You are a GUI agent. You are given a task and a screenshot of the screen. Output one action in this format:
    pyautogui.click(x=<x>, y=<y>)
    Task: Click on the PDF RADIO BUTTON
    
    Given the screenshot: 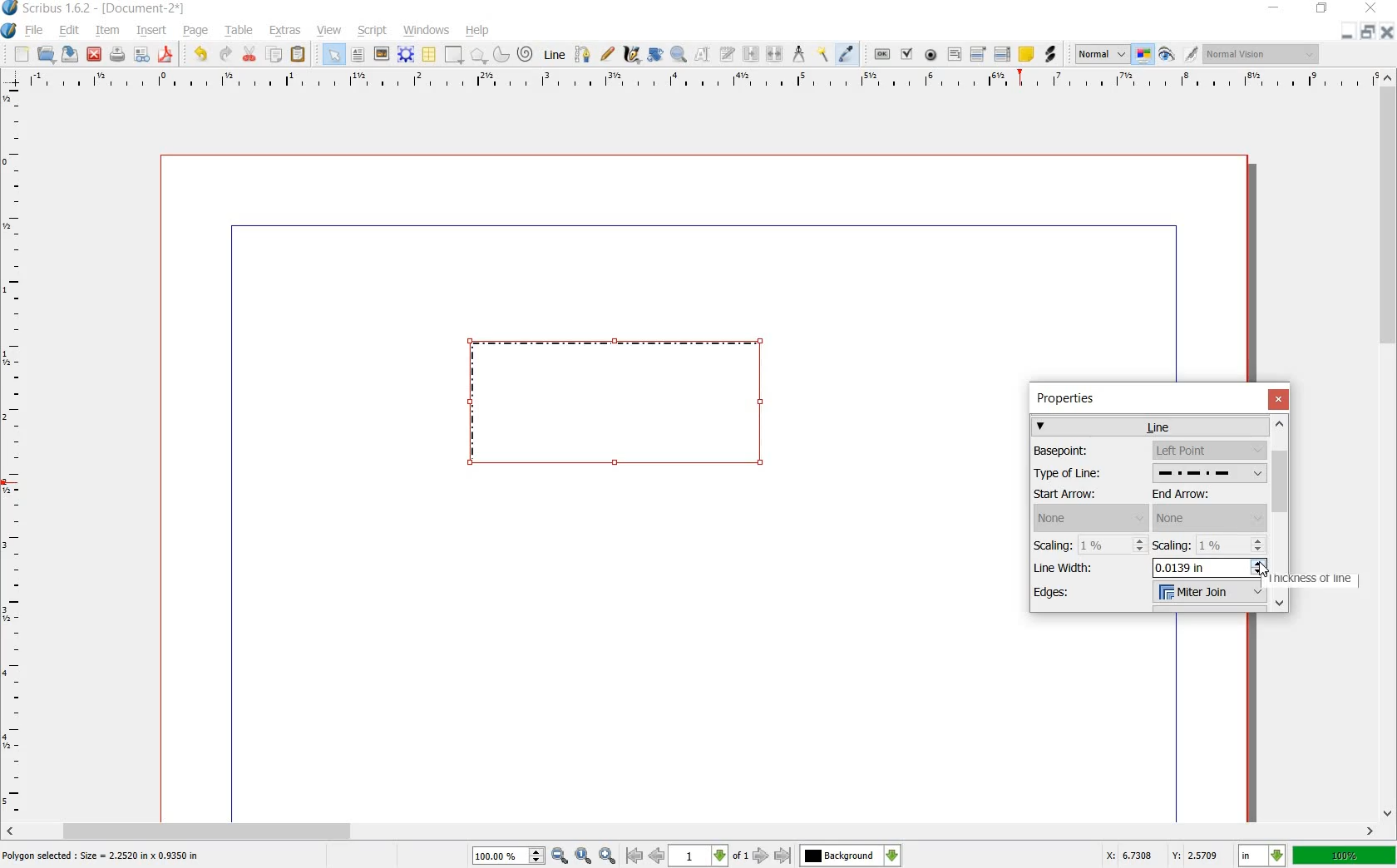 What is the action you would take?
    pyautogui.click(x=931, y=55)
    